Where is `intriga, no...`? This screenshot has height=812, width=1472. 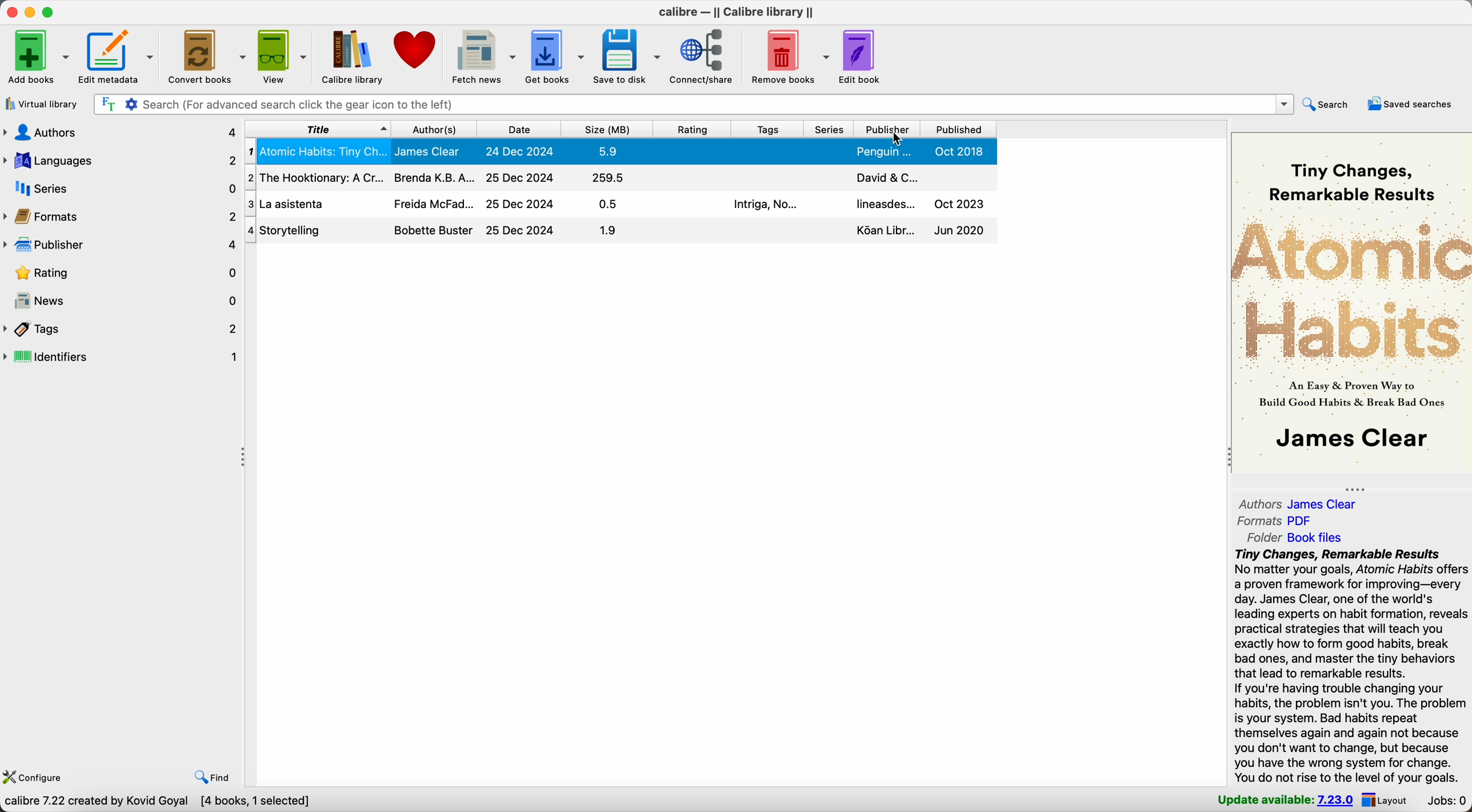
intriga, no... is located at coordinates (762, 205).